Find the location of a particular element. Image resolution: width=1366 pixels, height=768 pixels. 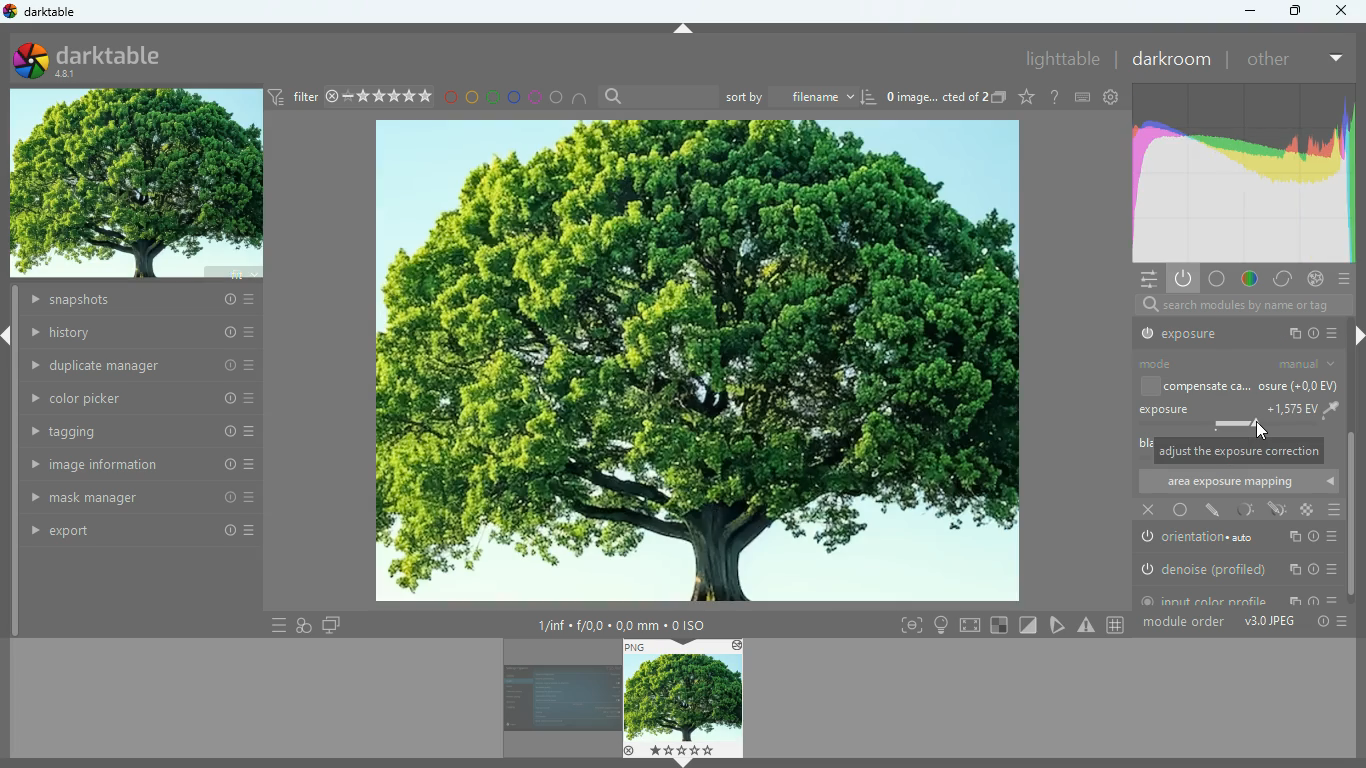

gradient is located at coordinates (1247, 171).